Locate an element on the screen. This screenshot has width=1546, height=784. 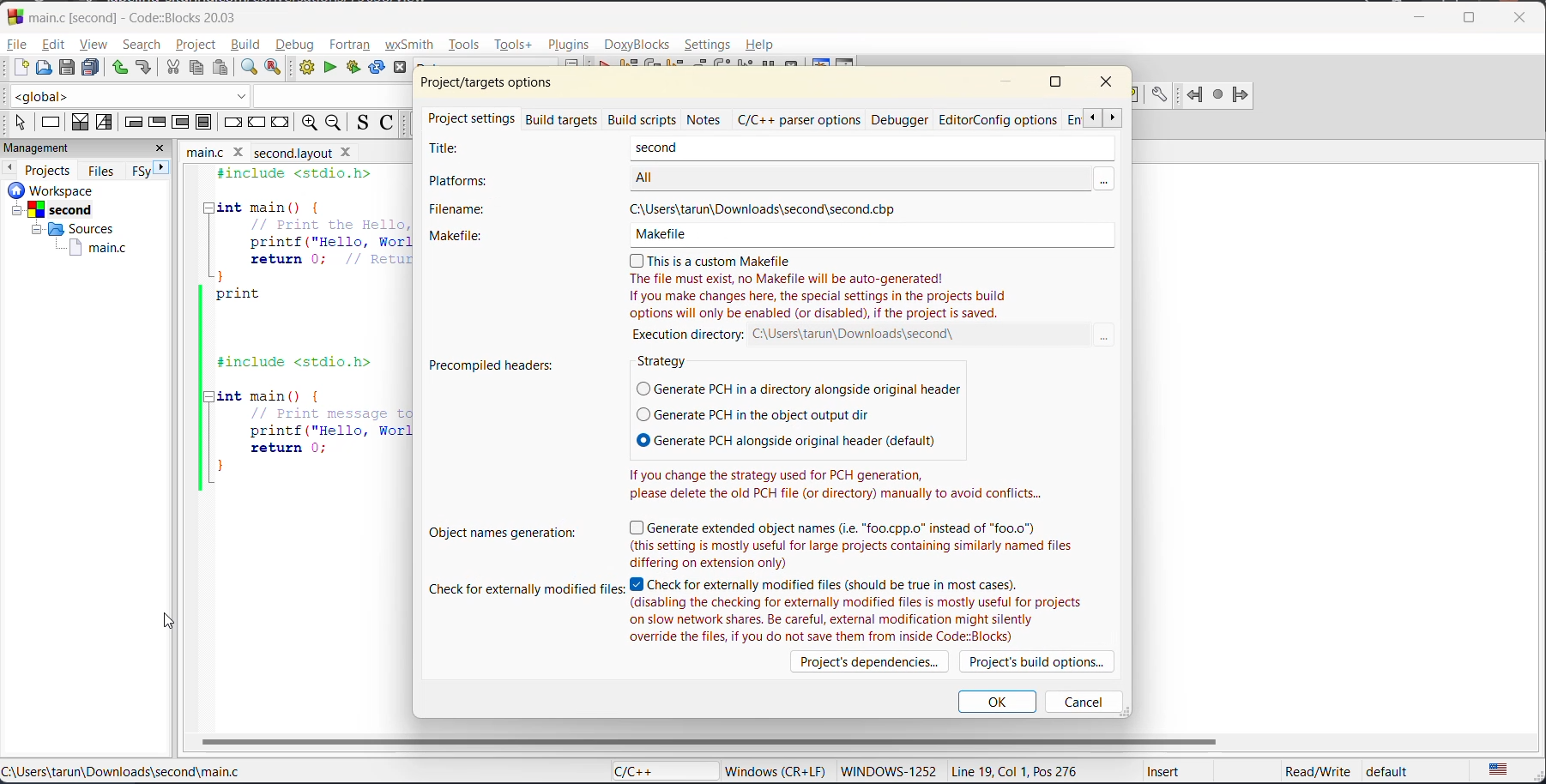
continue instruction is located at coordinates (258, 122).